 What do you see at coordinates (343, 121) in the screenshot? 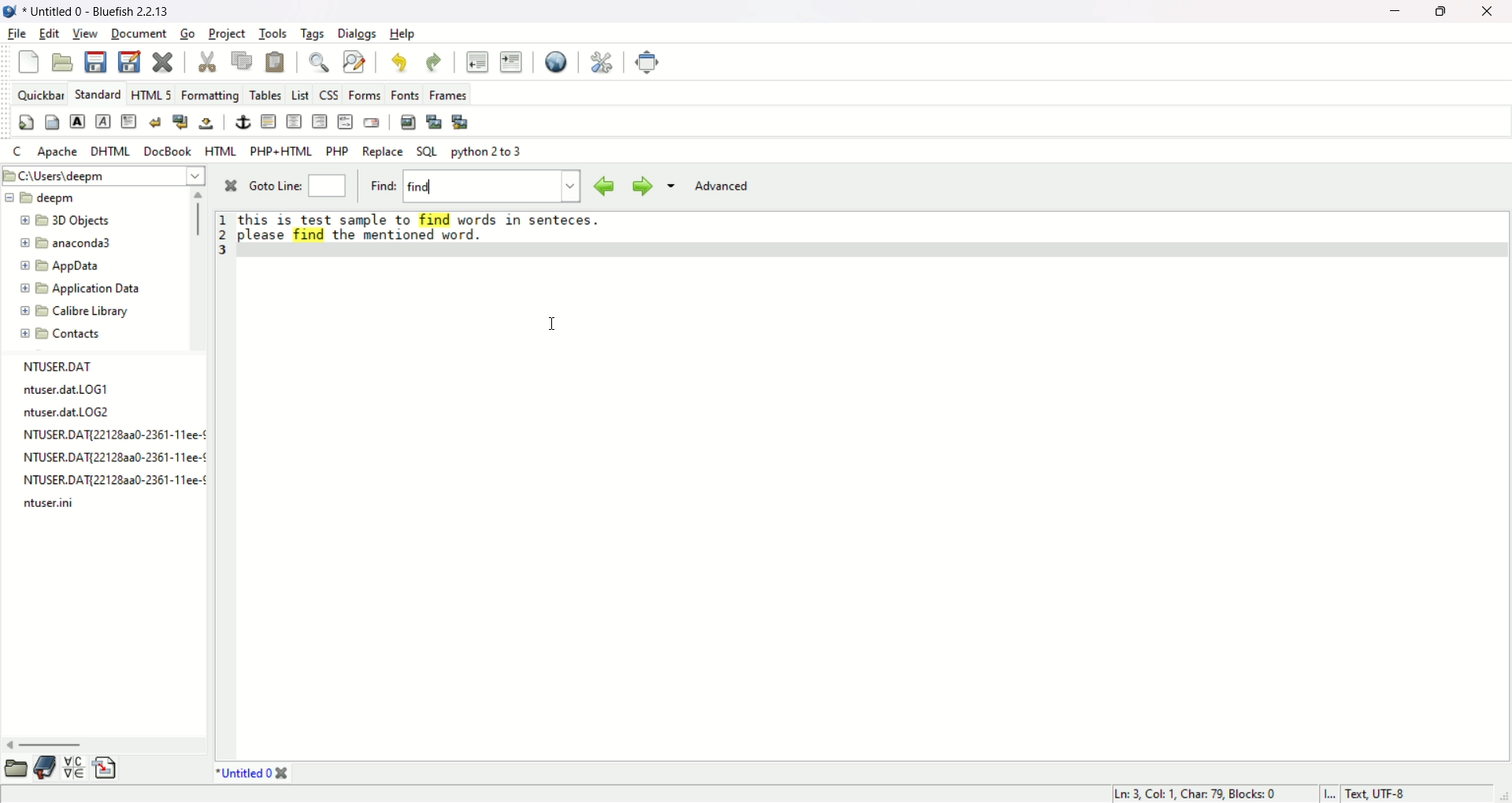
I see `HTML comment` at bounding box center [343, 121].